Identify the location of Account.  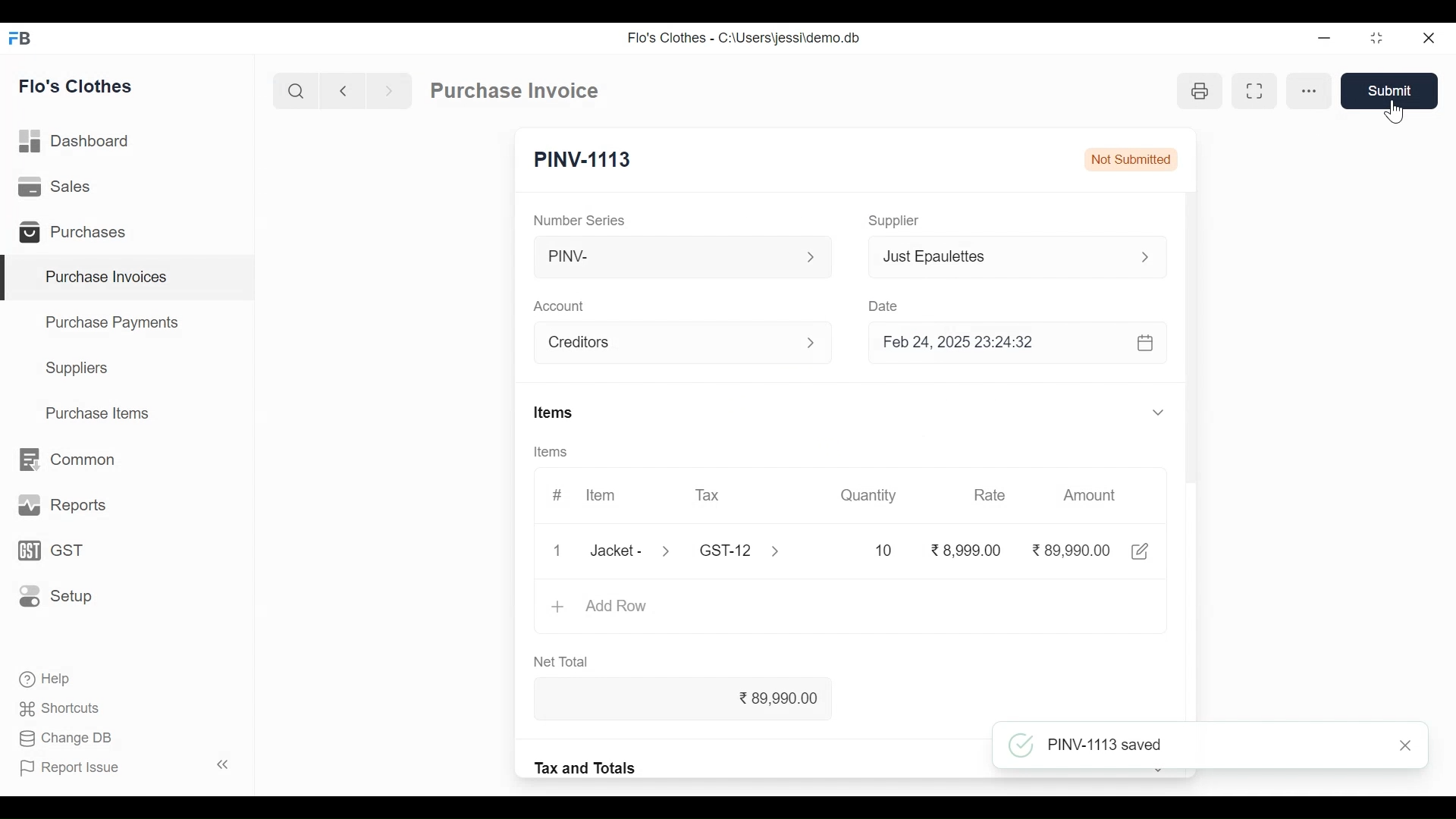
(669, 342).